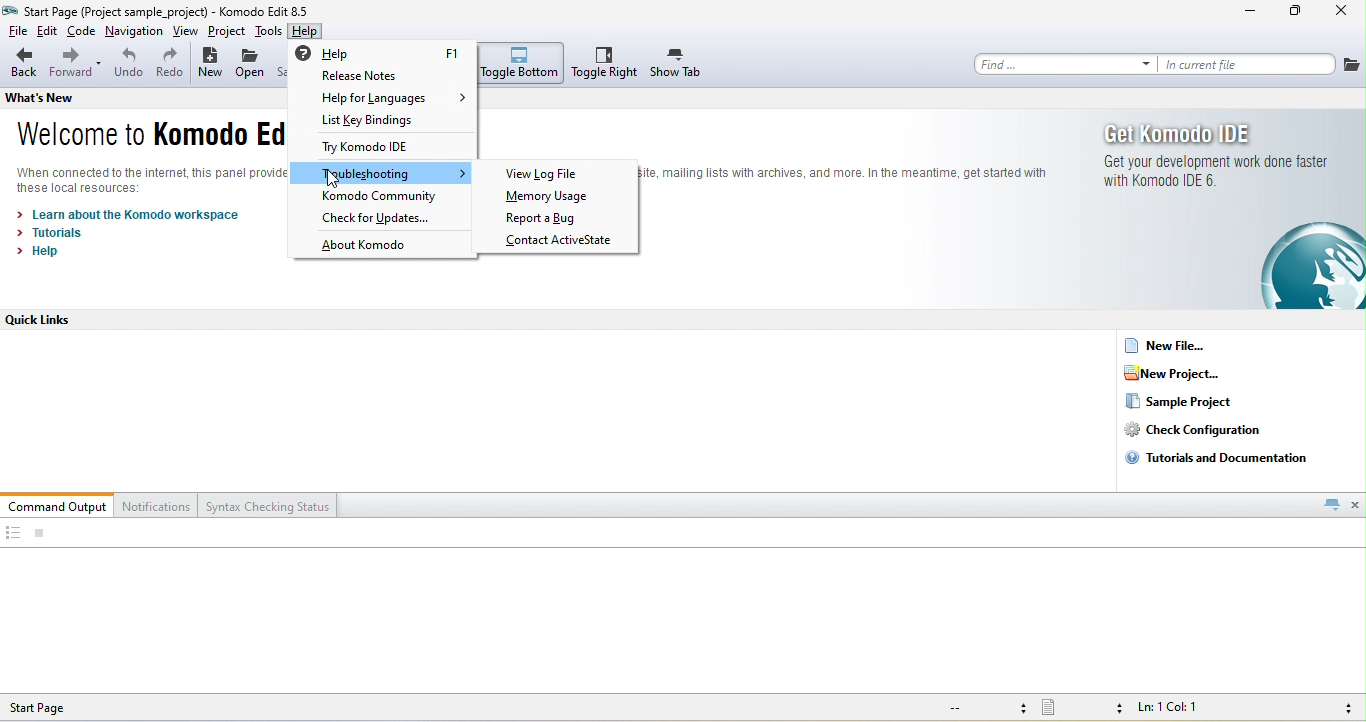  I want to click on memory usage, so click(551, 198).